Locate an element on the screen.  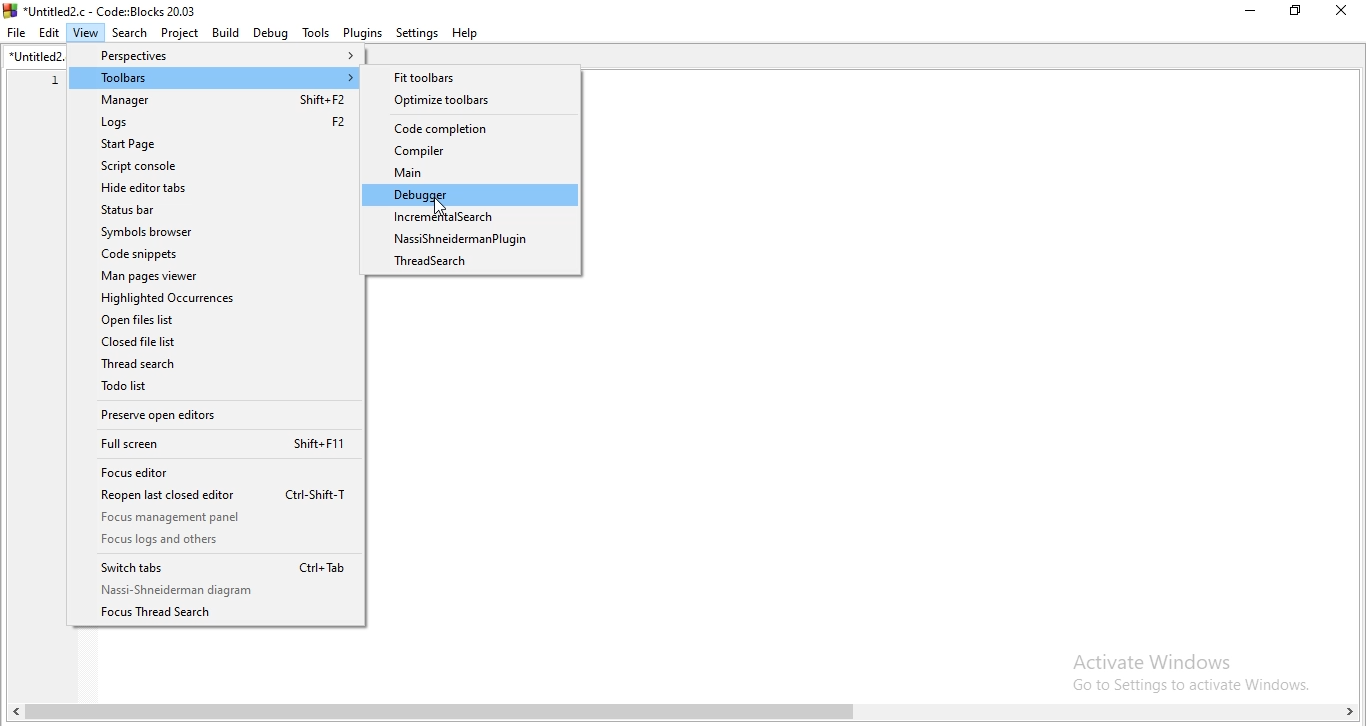
Focus legs and others is located at coordinates (220, 542).